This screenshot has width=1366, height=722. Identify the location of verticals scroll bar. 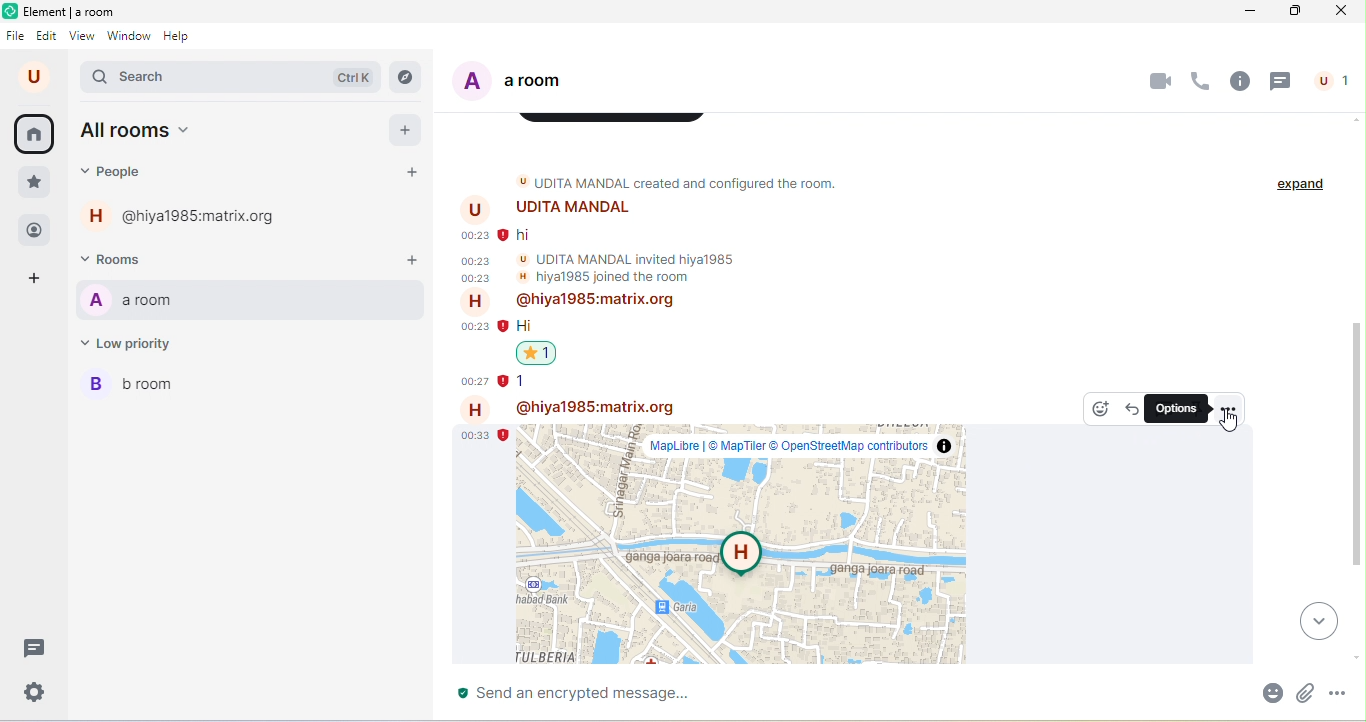
(1357, 450).